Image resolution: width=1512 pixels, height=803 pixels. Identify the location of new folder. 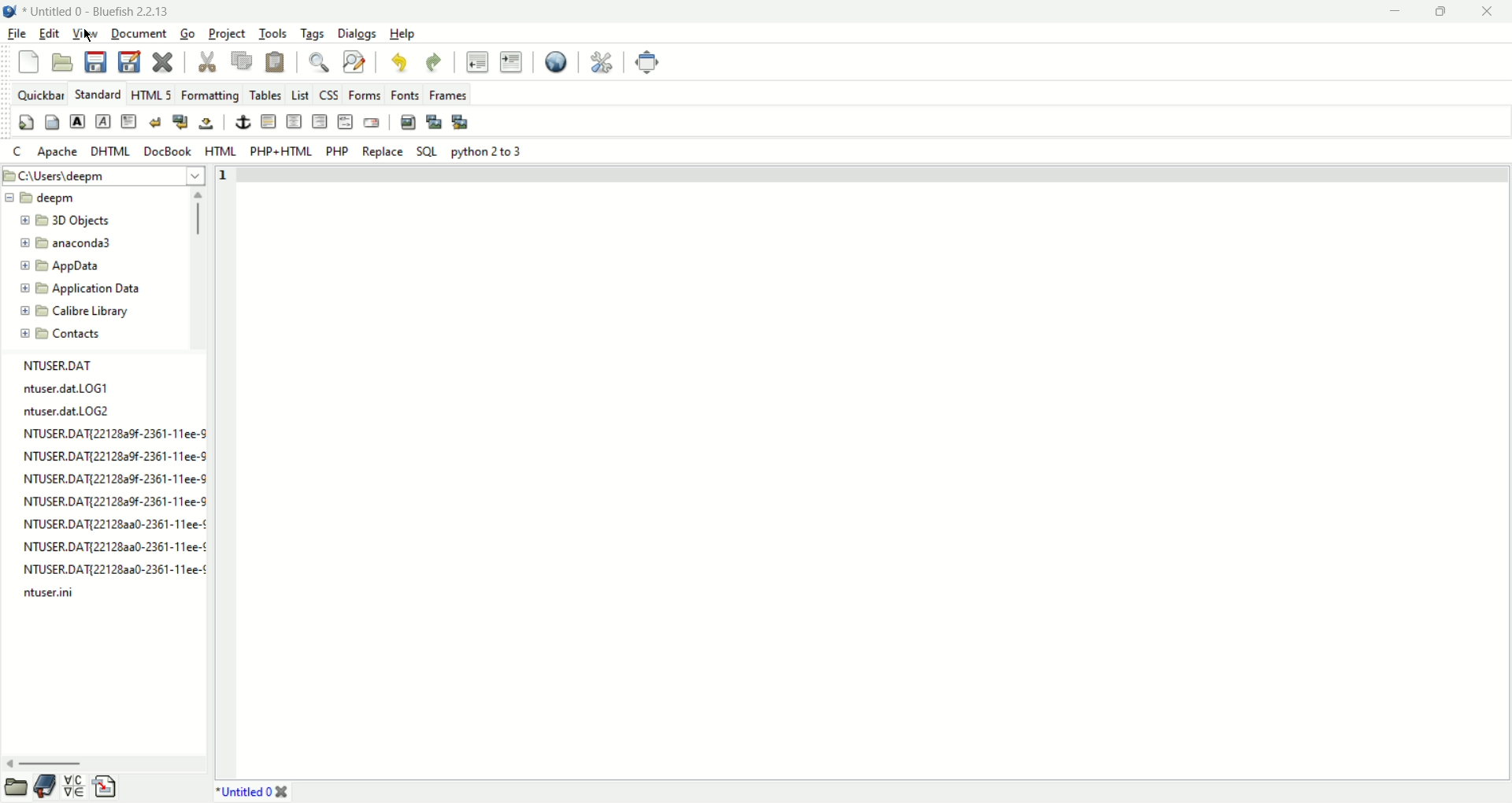
(76, 330).